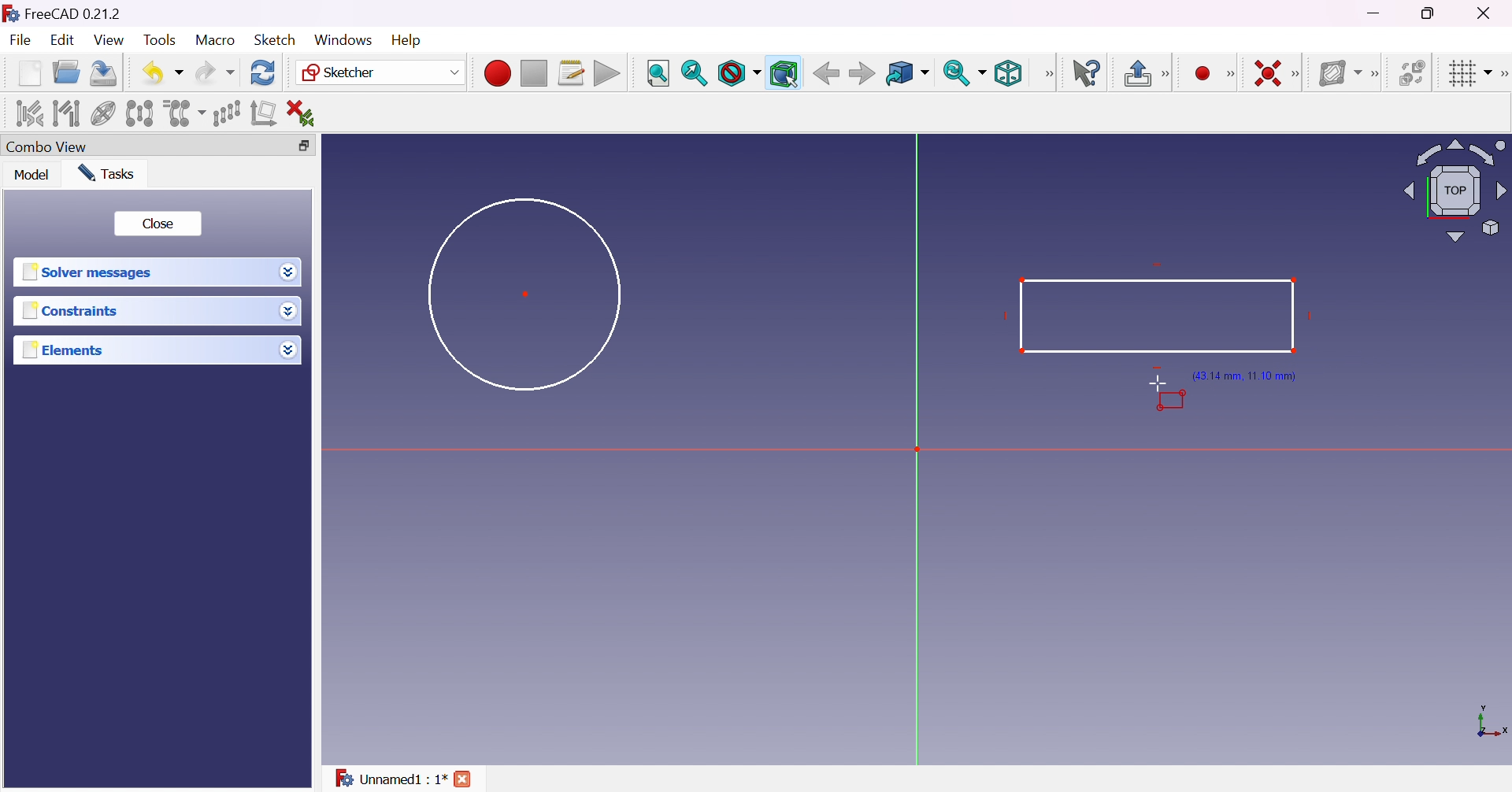  I want to click on Constrain coincident, so click(1266, 73).